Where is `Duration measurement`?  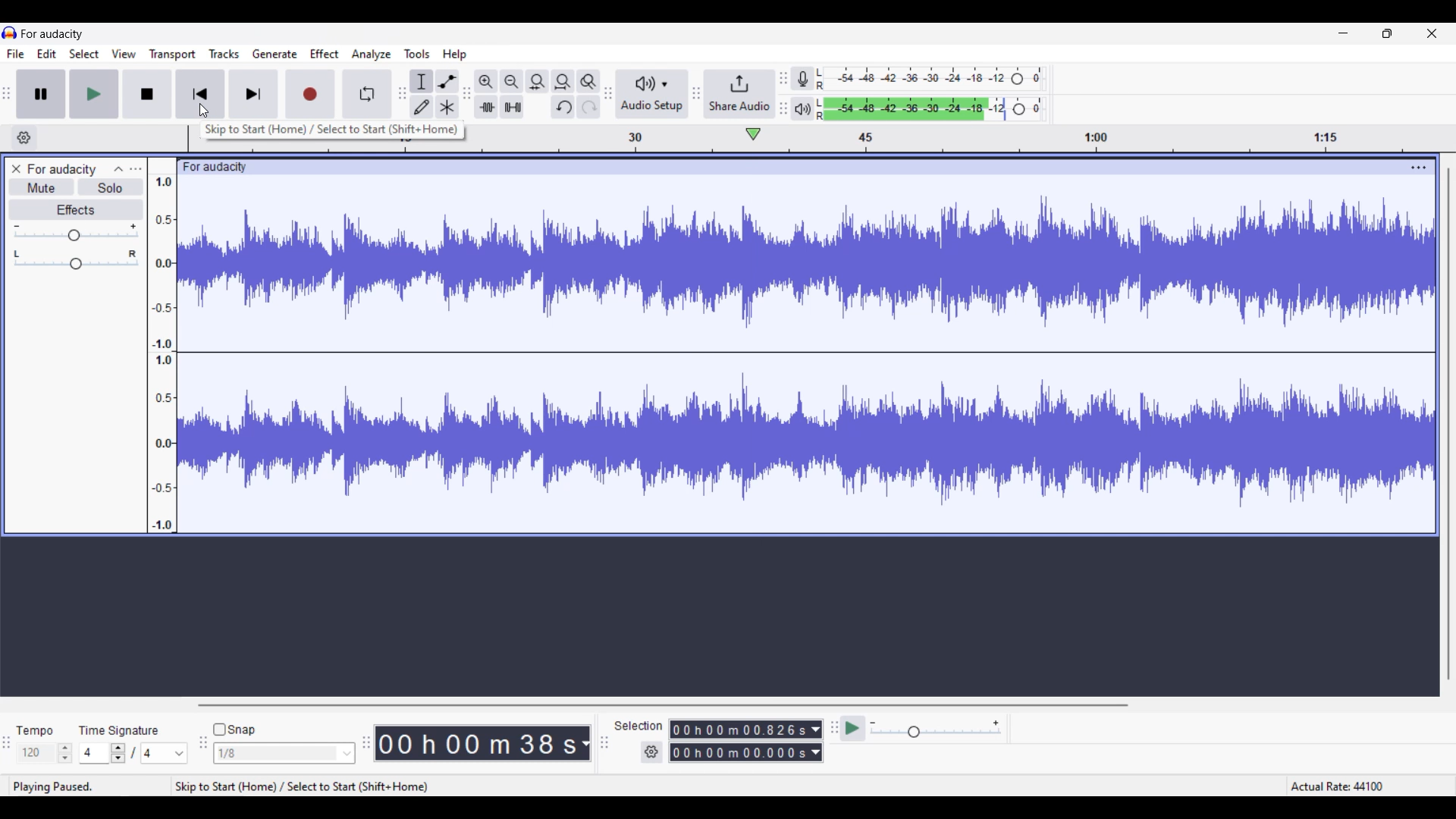 Duration measurement is located at coordinates (816, 742).